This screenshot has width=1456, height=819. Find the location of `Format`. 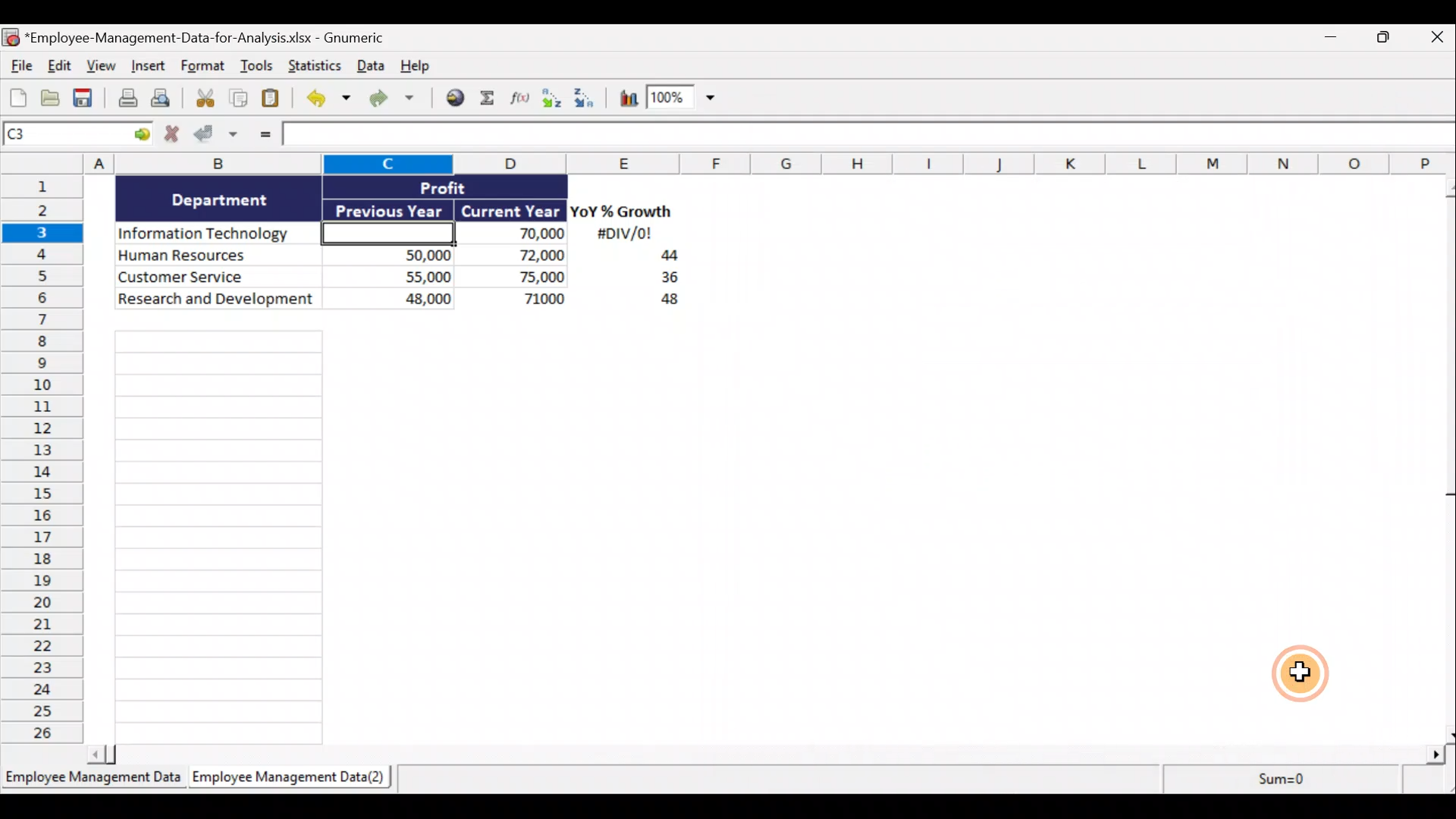

Format is located at coordinates (203, 68).